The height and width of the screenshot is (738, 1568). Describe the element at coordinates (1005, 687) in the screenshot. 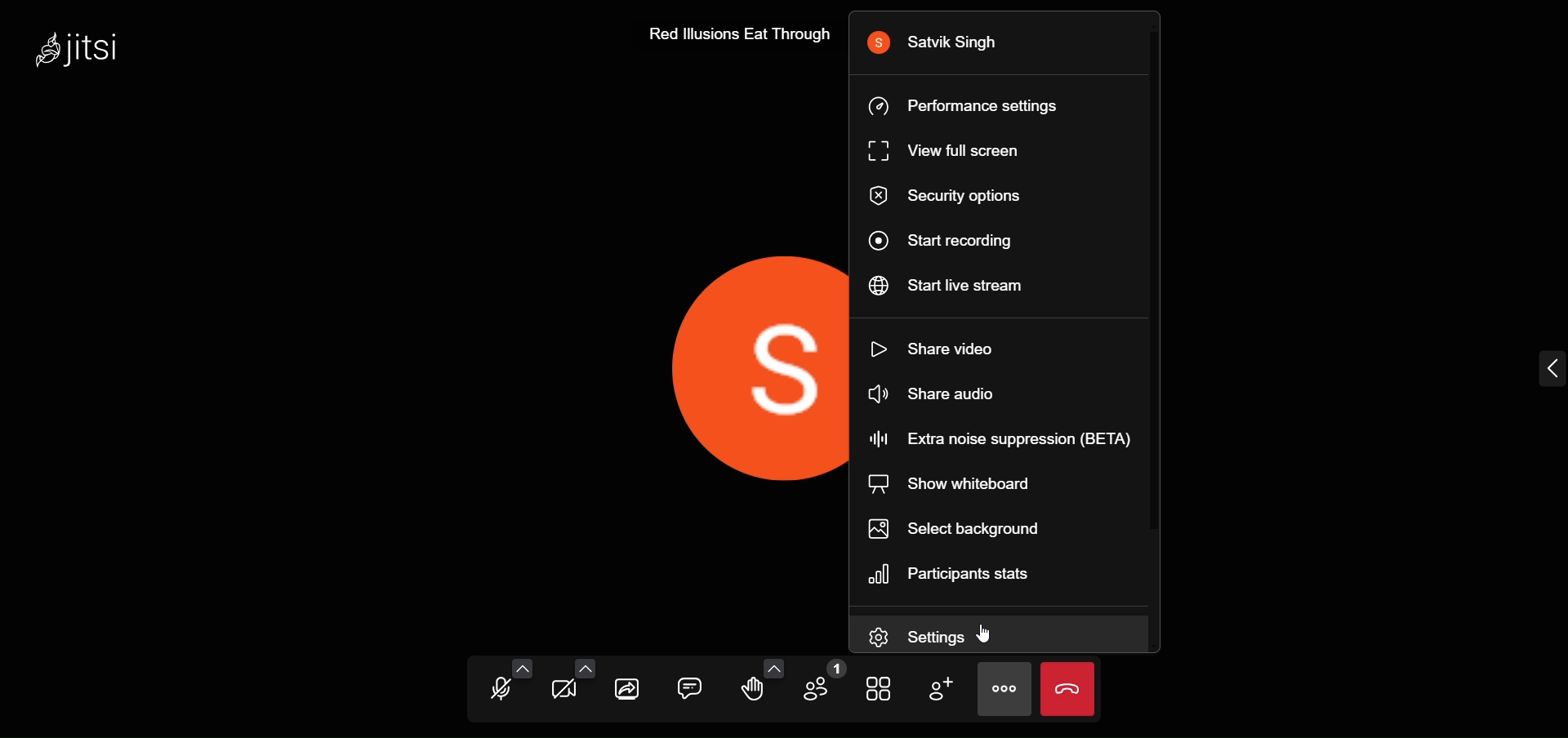

I see `more` at that location.